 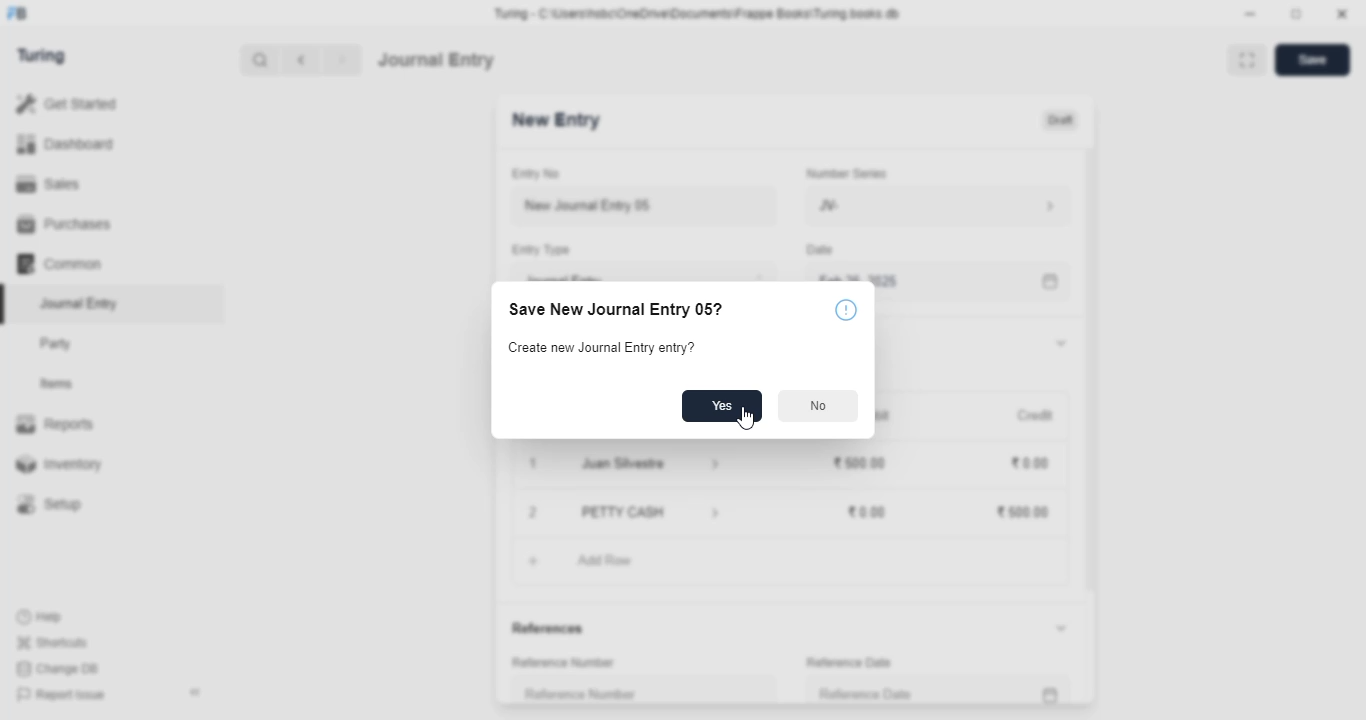 What do you see at coordinates (541, 250) in the screenshot?
I see `entry type` at bounding box center [541, 250].